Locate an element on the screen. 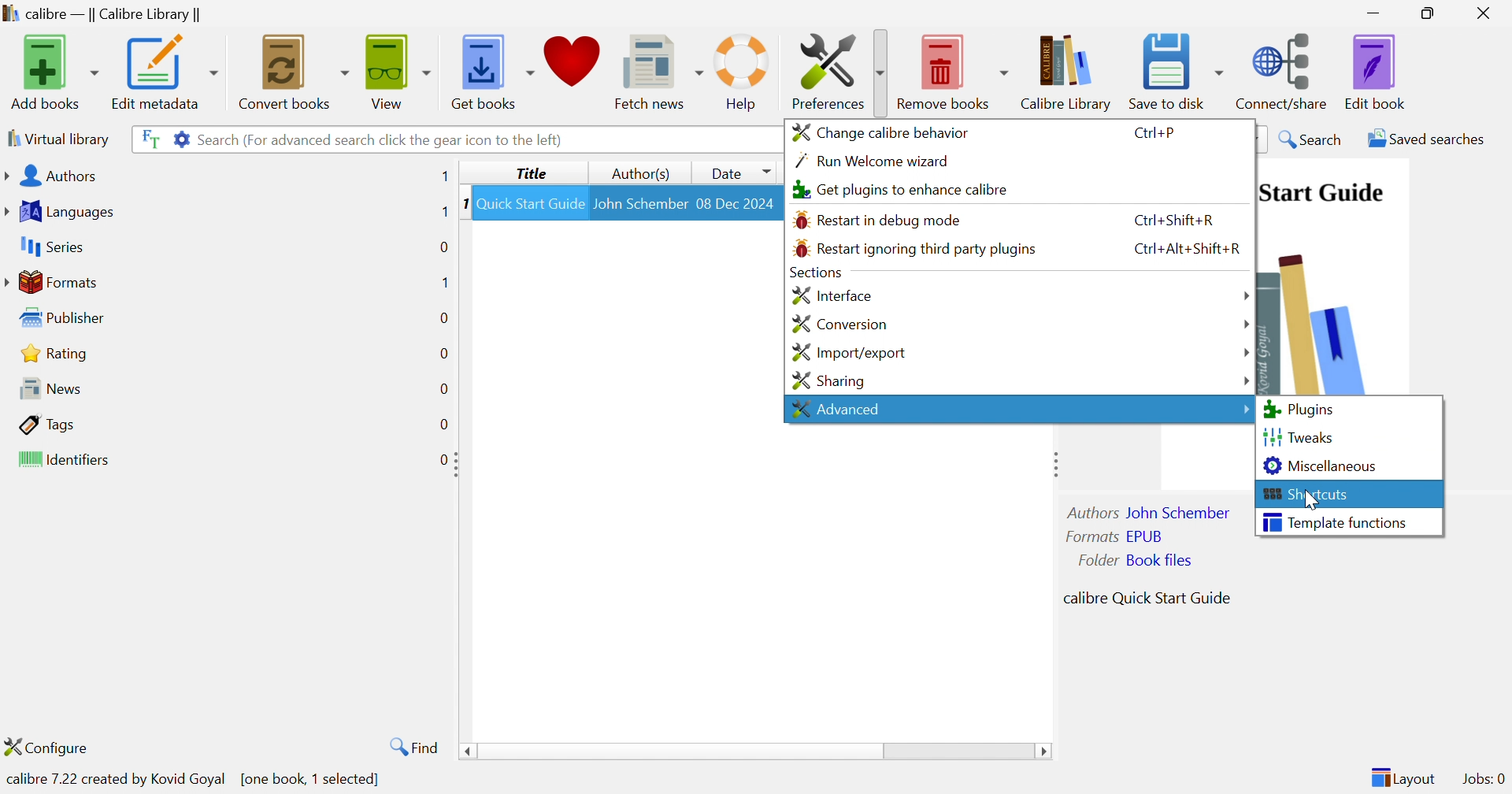 This screenshot has height=794, width=1512. Edit metadata is located at coordinates (163, 72).